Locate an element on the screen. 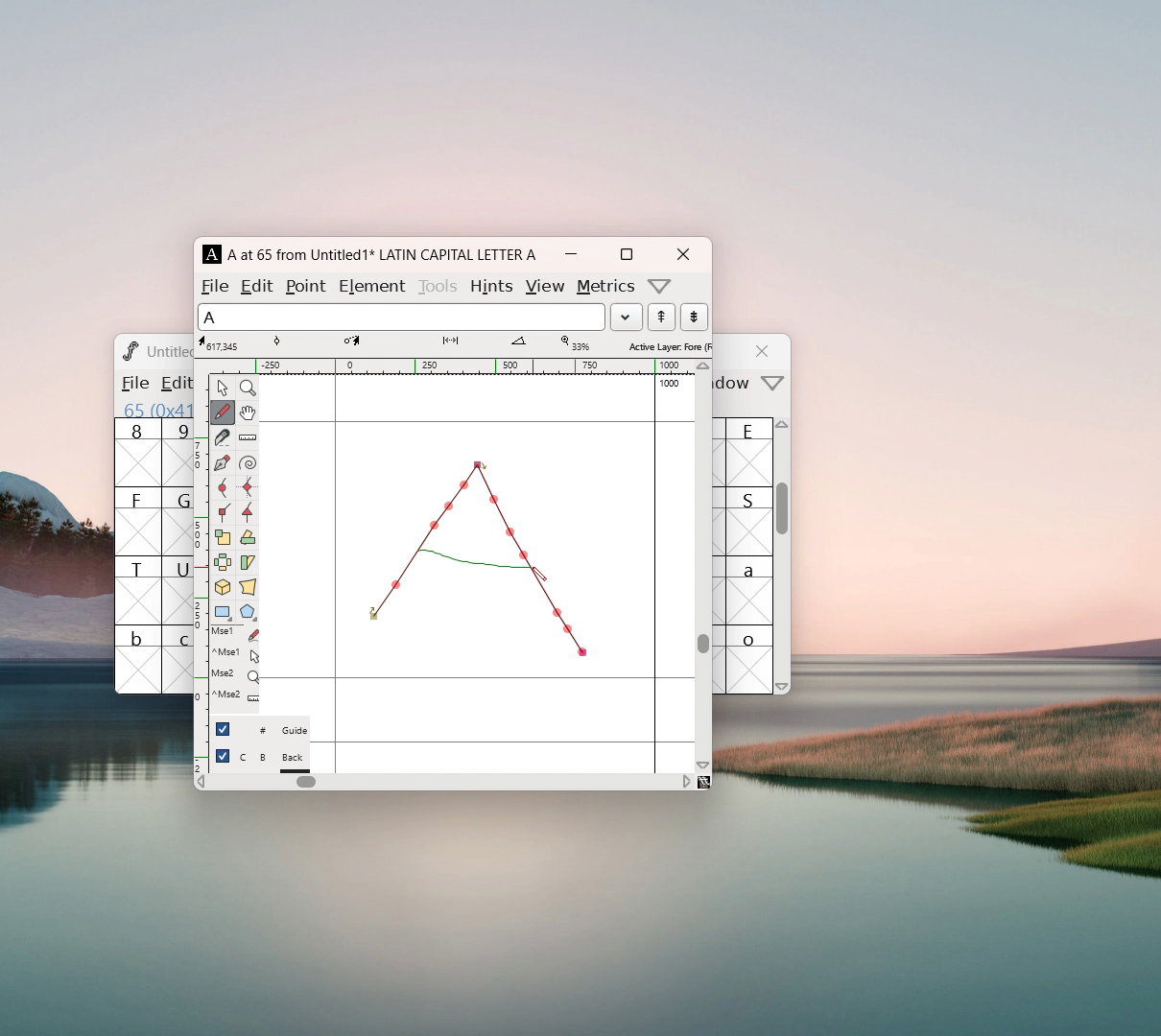 This screenshot has height=1036, width=1161. ^Mse2 is located at coordinates (236, 653).